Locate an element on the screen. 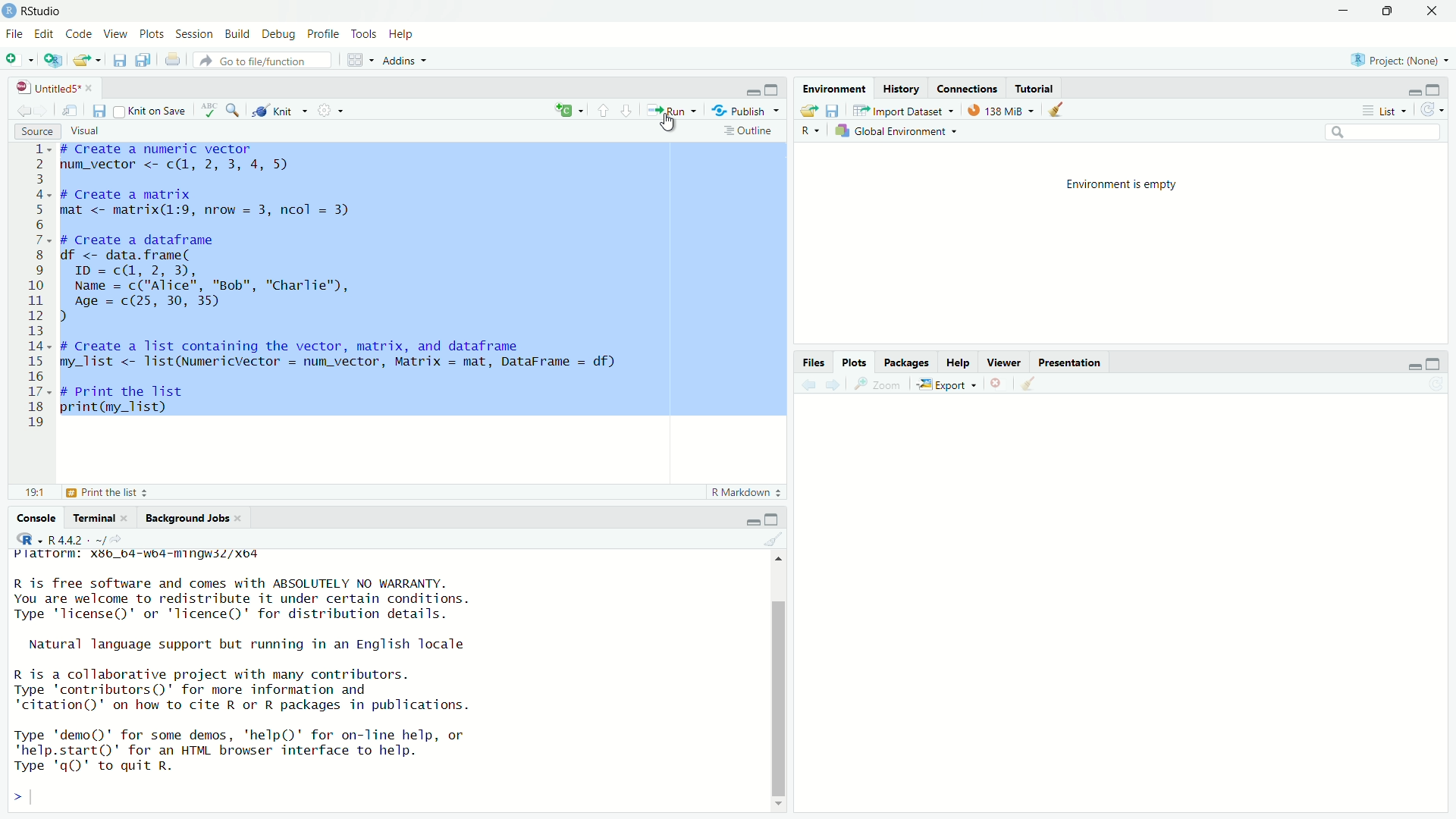  Tools is located at coordinates (362, 34).